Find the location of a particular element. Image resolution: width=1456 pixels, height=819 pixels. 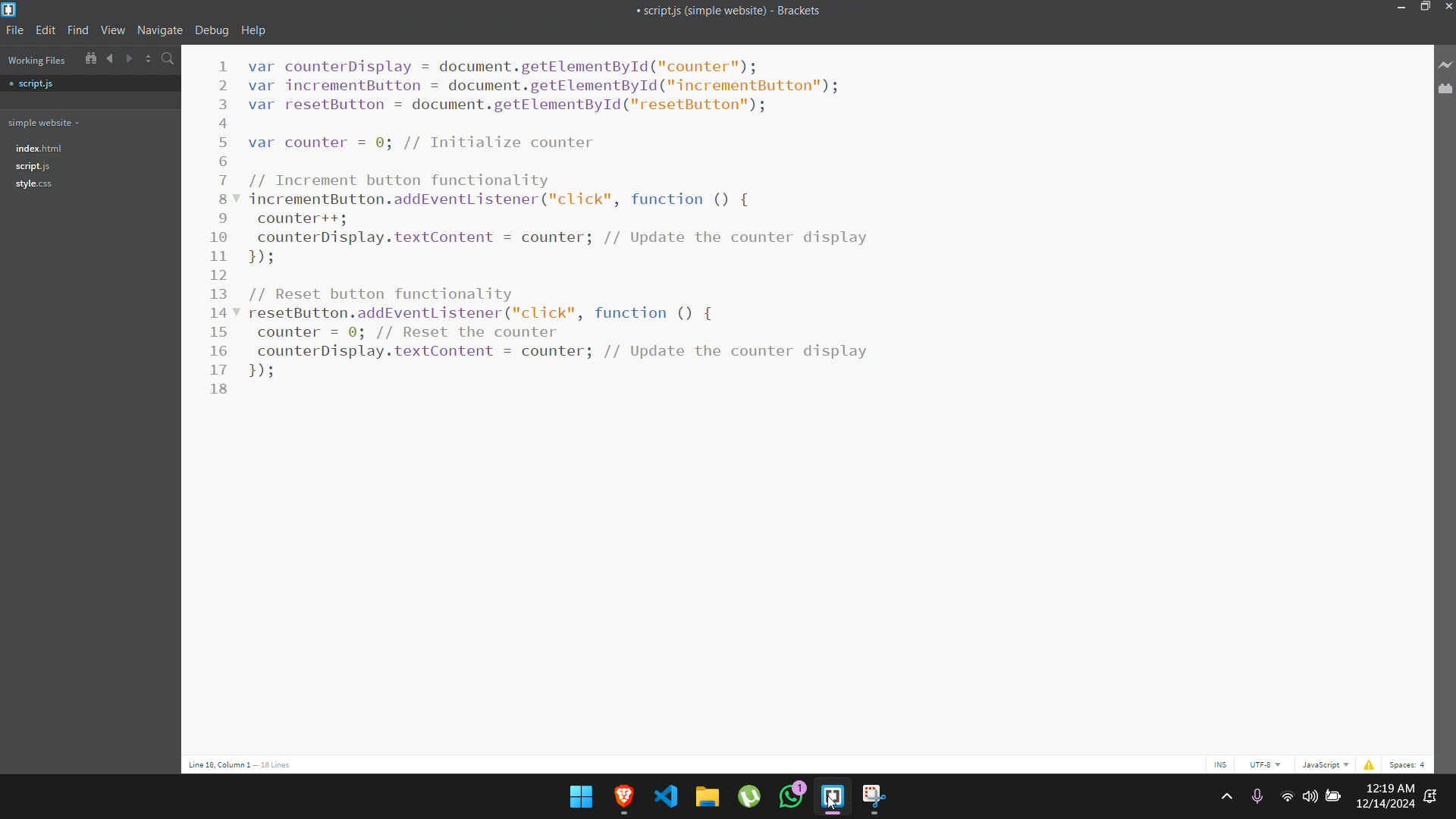

start icon is located at coordinates (581, 796).